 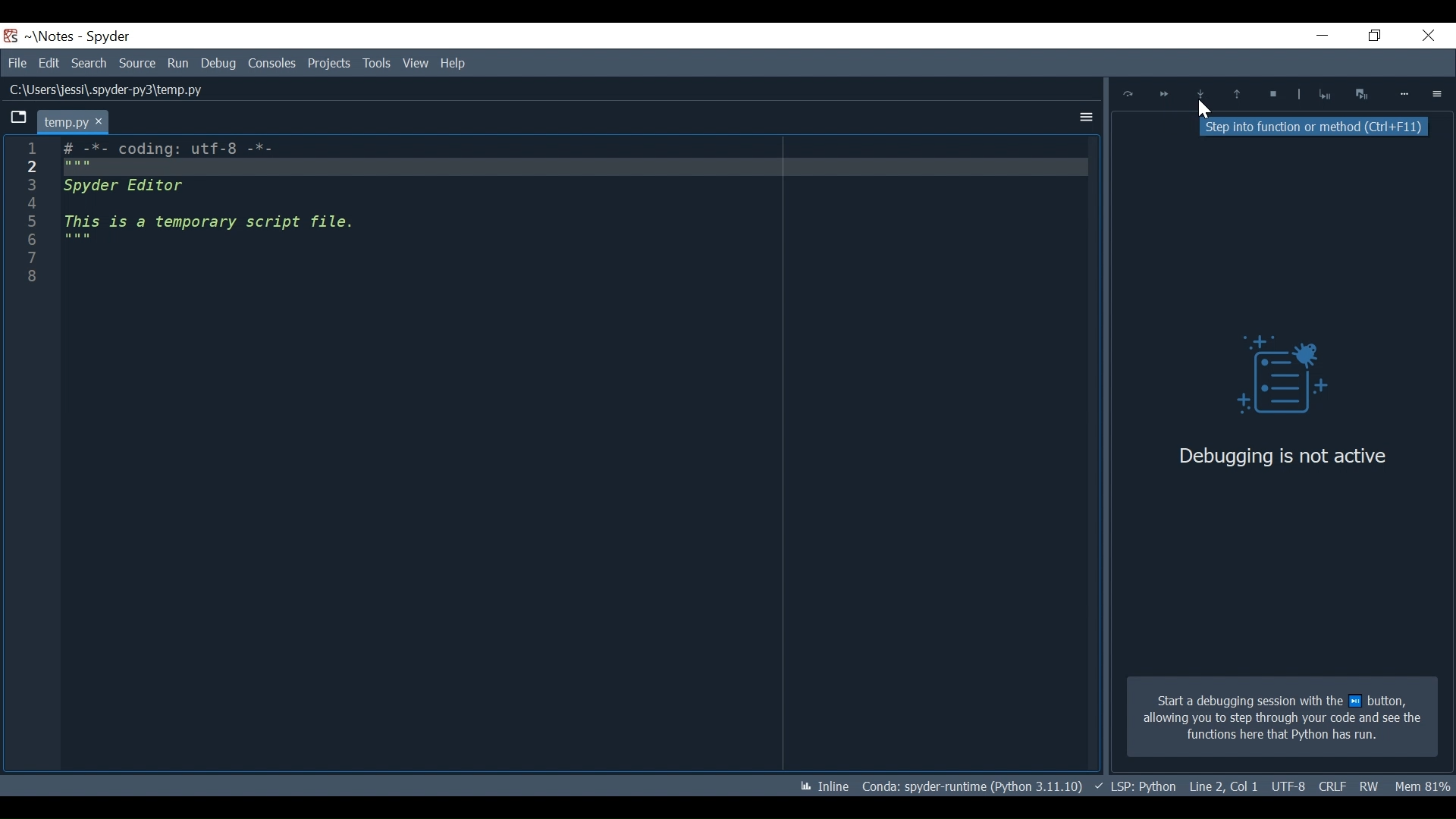 What do you see at coordinates (18, 119) in the screenshot?
I see `Browse tab` at bounding box center [18, 119].